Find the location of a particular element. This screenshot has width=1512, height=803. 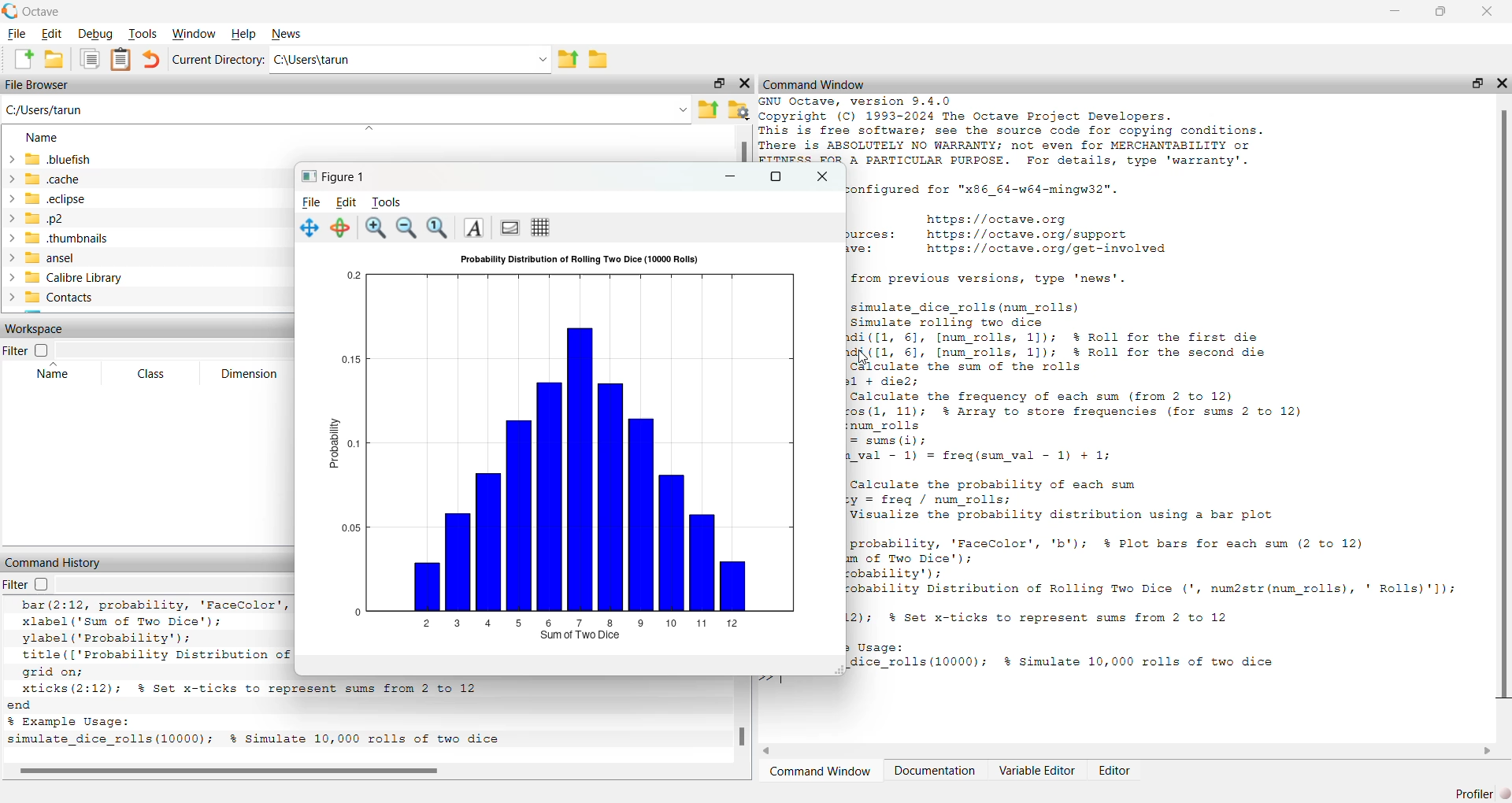

GNU Octave, version 9.4.0

Copyright (C) 1993-2024 The Octave Project Developers.

This is free software; see the source code for copying conditions.
There is ABSOLUTELY NO WARRANTY; not even for MERCHANTABILITY or
FITNESS FOR A PARTICULAR PURPOSE. For details, type 'warranty'.
octave was configured for "x86_64-w64-mingw32".

Home page: https://octave.org

Support resources:  https://octave.org/support

Improve Octave: https://octave.org/get-involved

Bi elisa Sali cooled tin cop doin. Some MEaliy’ is located at coordinates (1158, 385).